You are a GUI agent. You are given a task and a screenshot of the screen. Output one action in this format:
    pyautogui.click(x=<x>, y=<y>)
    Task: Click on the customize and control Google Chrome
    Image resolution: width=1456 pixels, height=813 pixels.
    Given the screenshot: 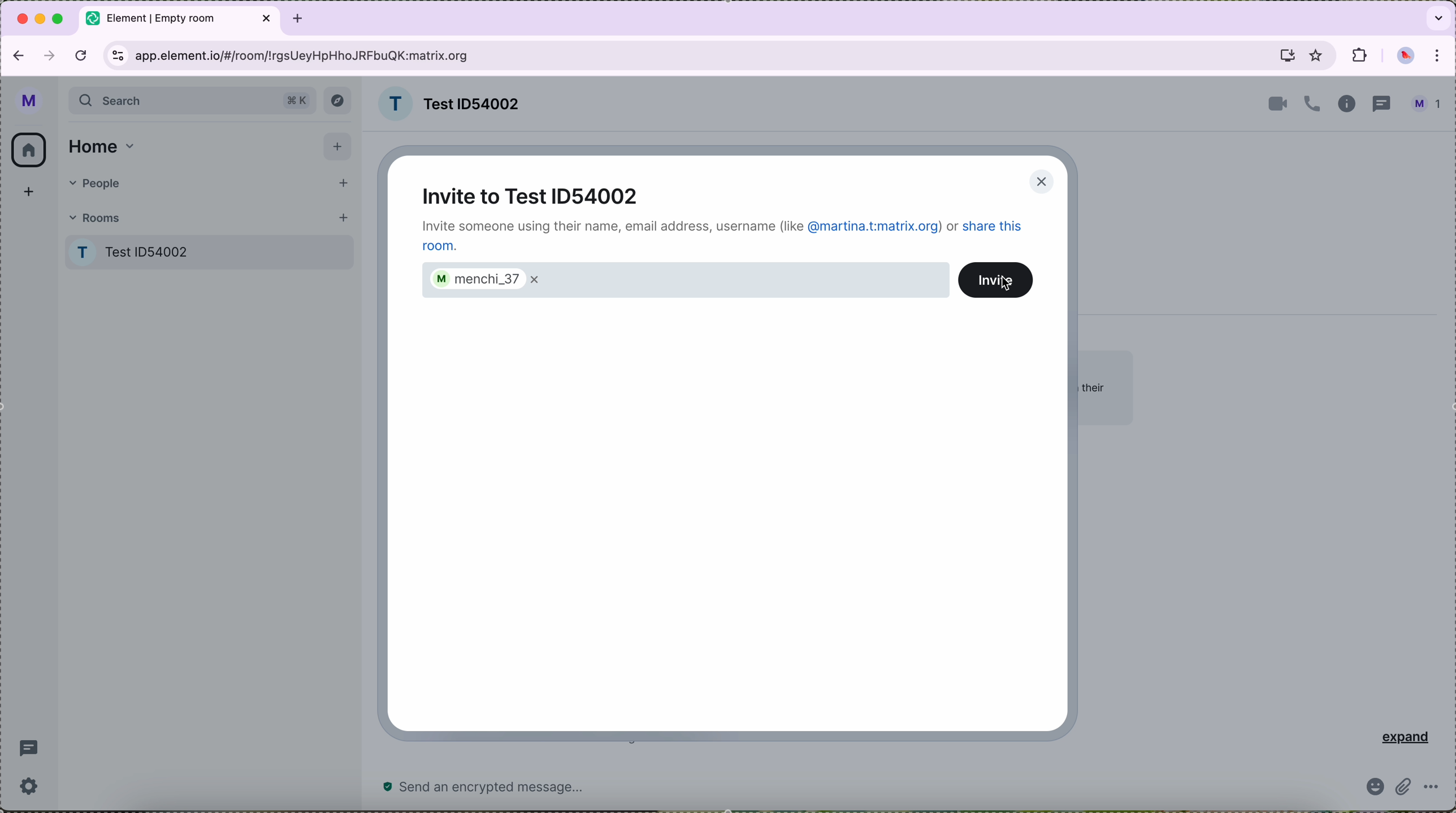 What is the action you would take?
    pyautogui.click(x=1440, y=56)
    